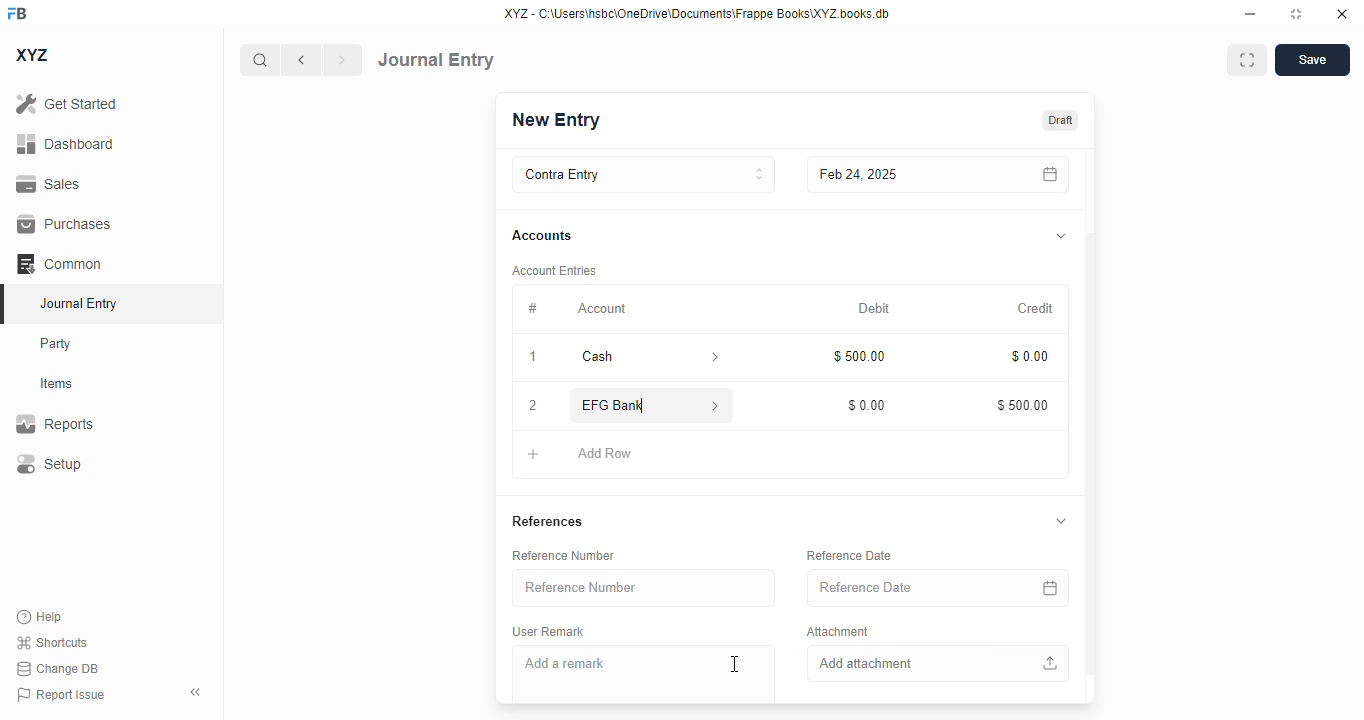 The image size is (1364, 720). I want to click on user remark, so click(550, 632).